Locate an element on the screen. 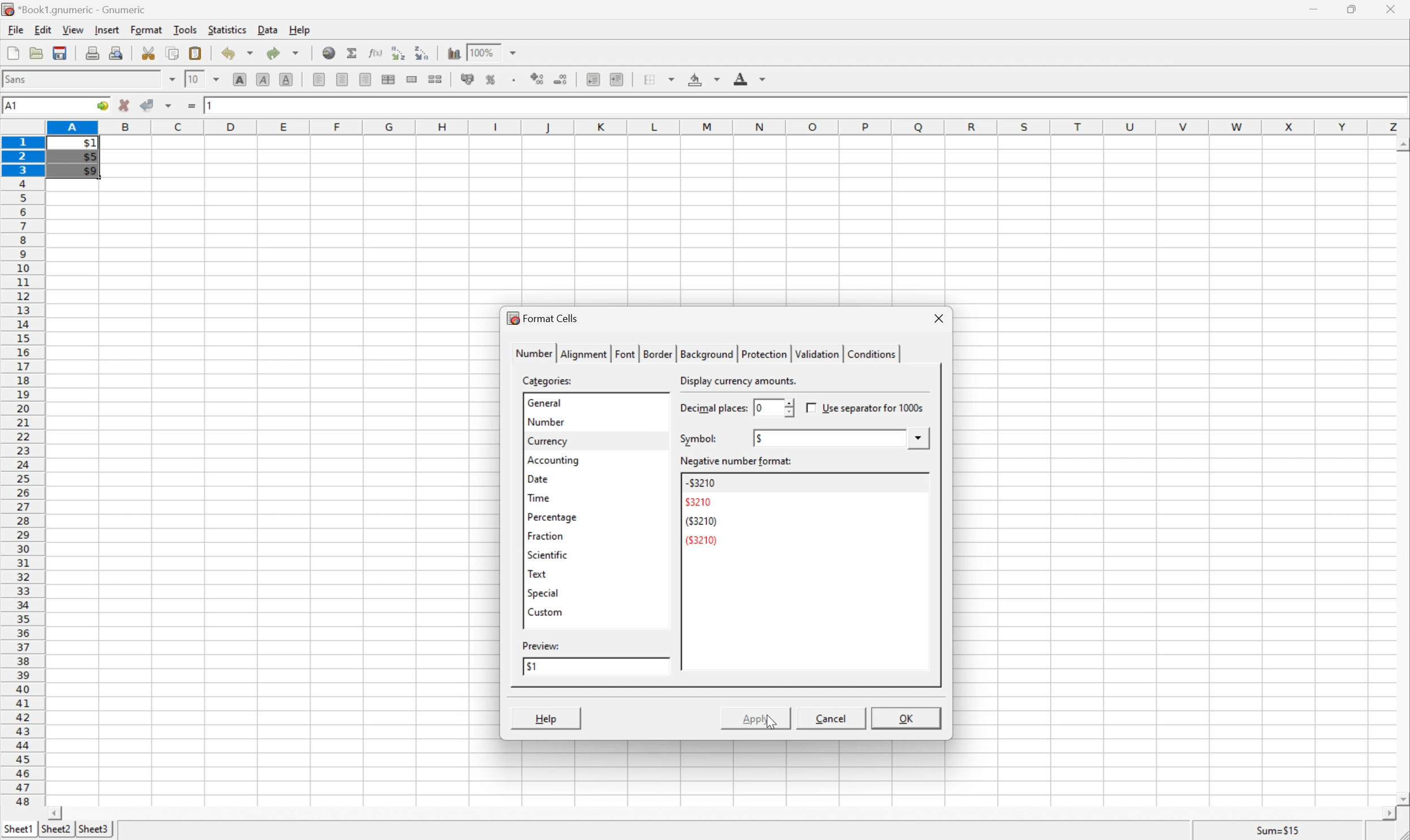 This screenshot has width=1410, height=840. scroll left is located at coordinates (54, 814).